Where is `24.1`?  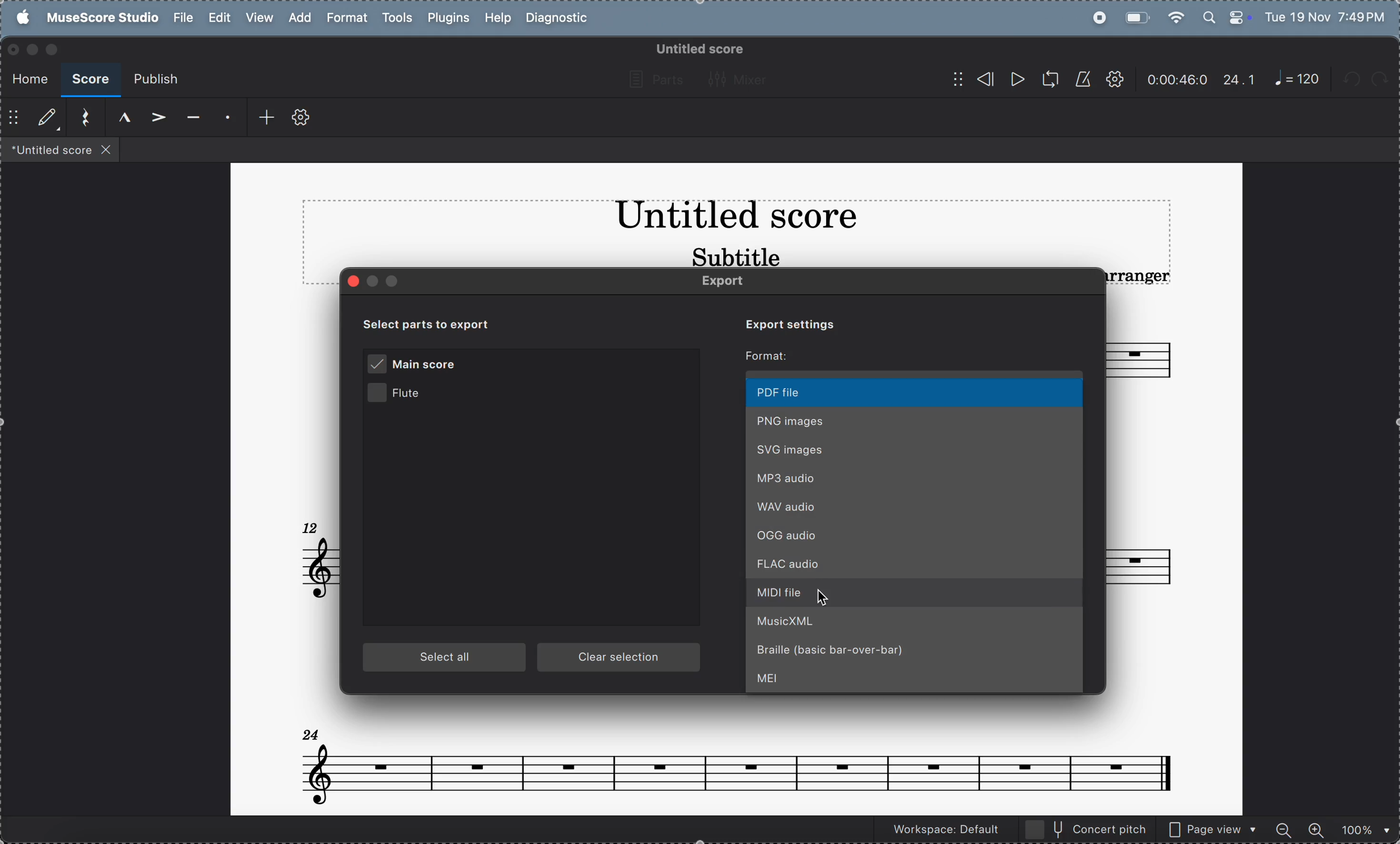
24.1 is located at coordinates (1239, 80).